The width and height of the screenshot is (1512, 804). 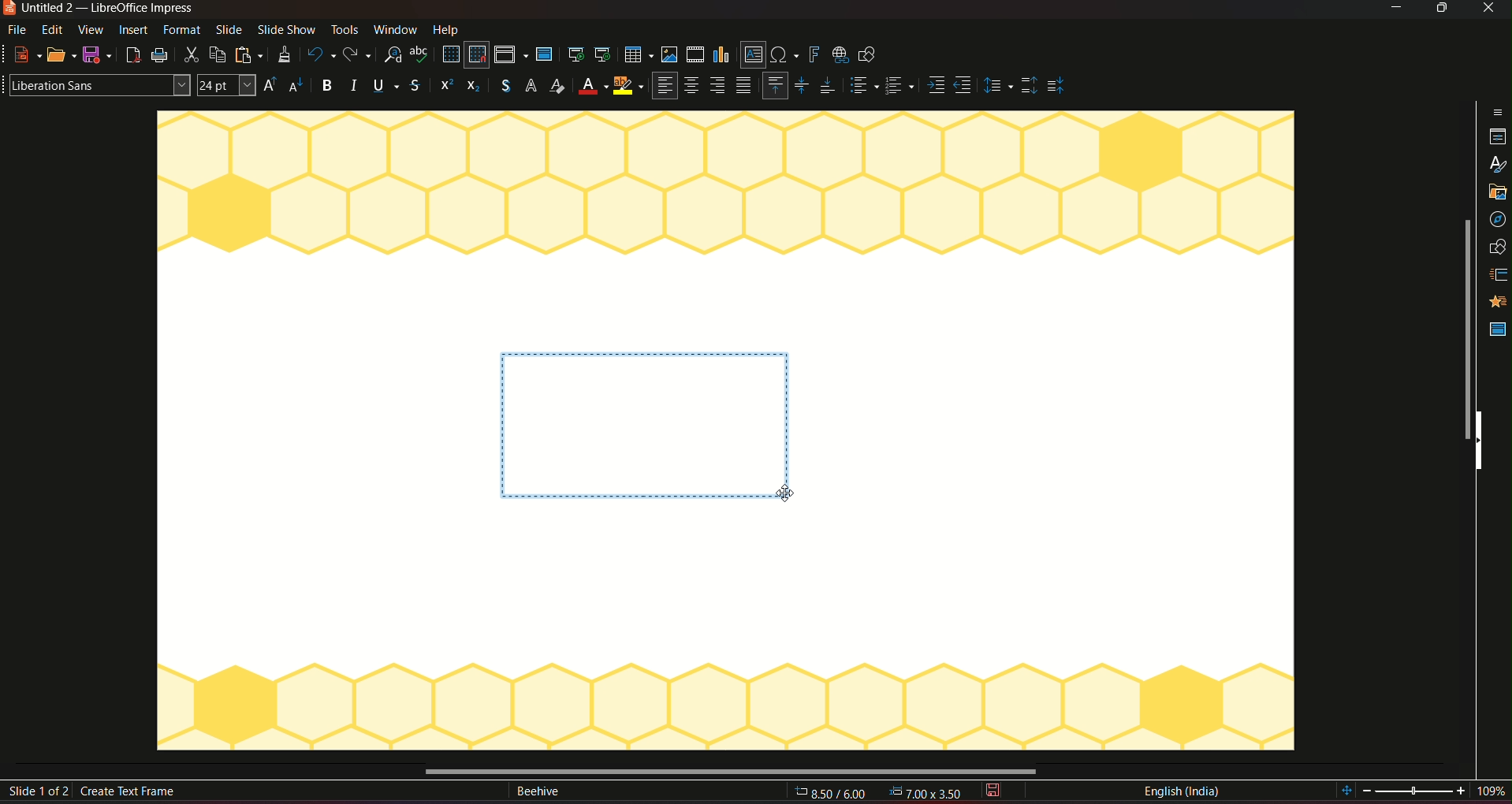 I want to click on undo, so click(x=320, y=54).